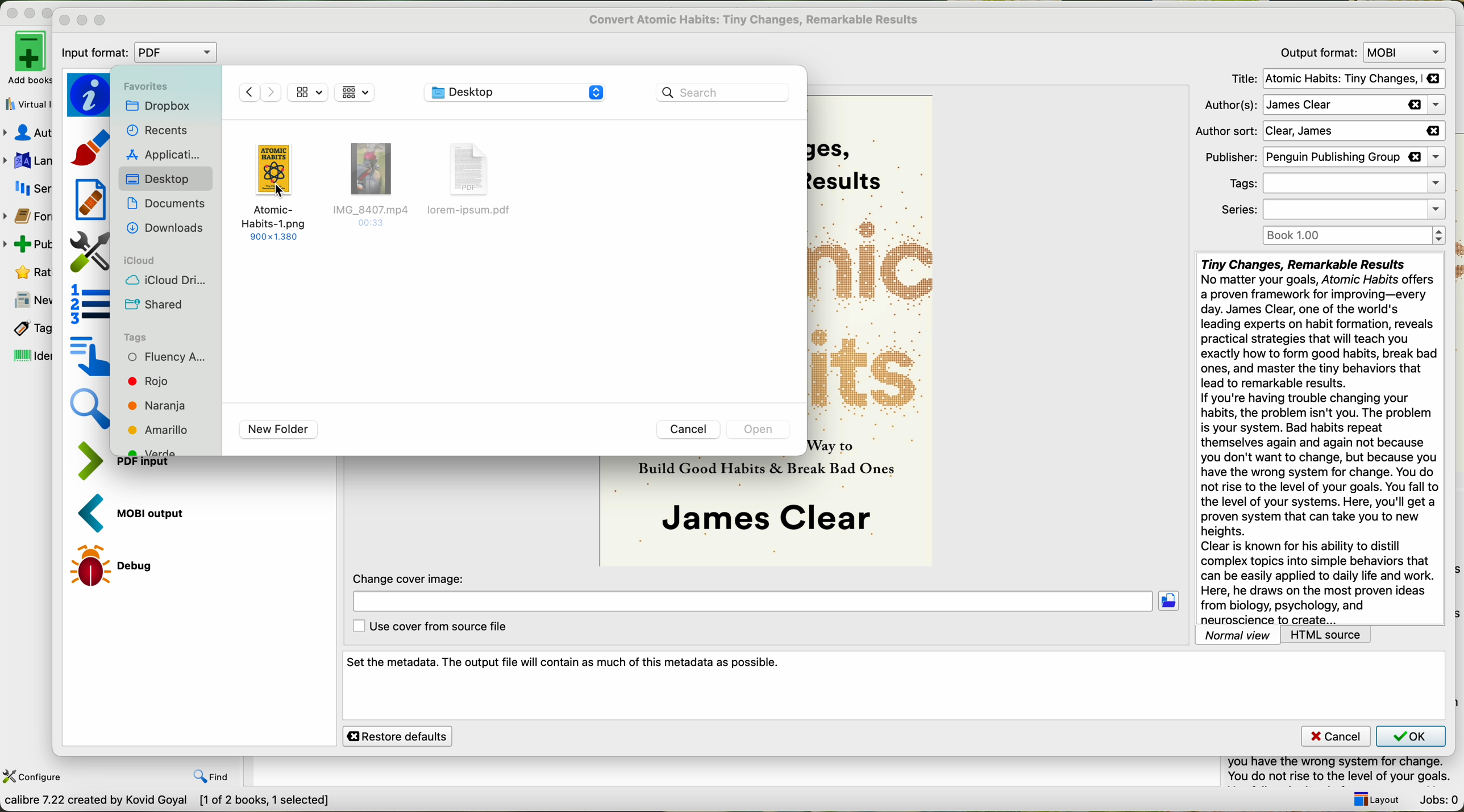 This screenshot has height=812, width=1464. What do you see at coordinates (281, 195) in the screenshot?
I see `cursor` at bounding box center [281, 195].